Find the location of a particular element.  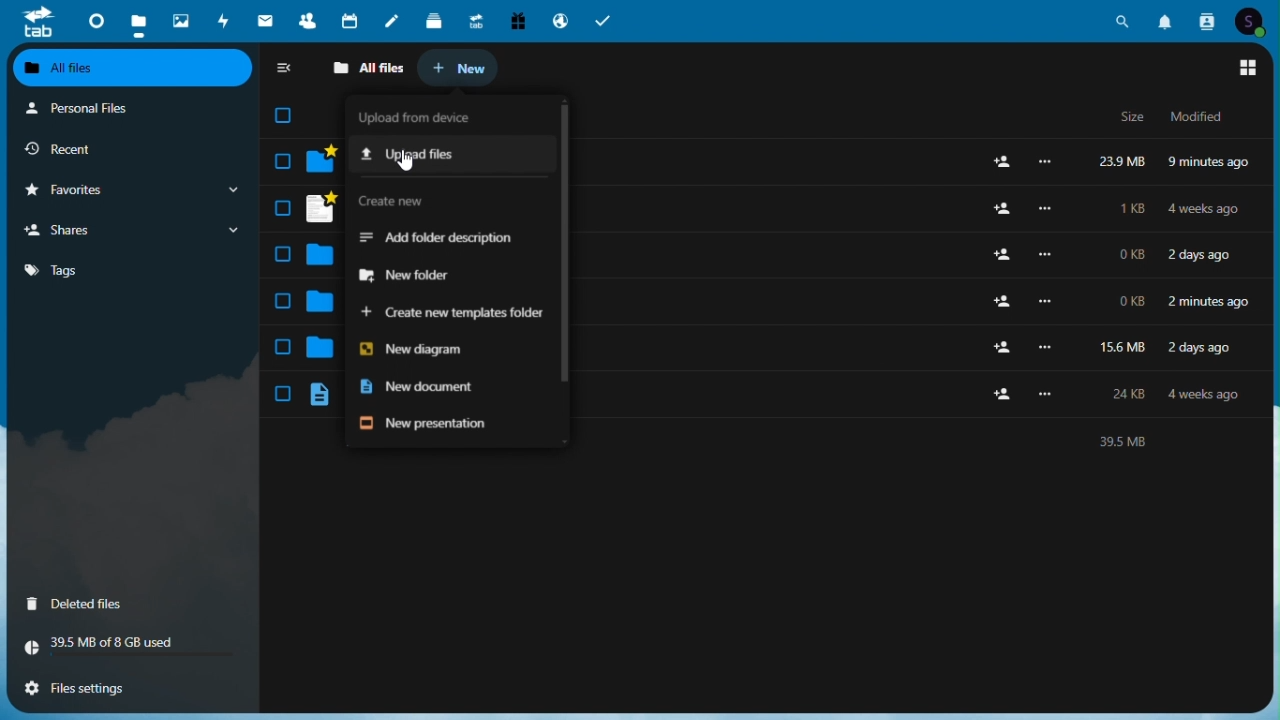

contacts is located at coordinates (306, 19).